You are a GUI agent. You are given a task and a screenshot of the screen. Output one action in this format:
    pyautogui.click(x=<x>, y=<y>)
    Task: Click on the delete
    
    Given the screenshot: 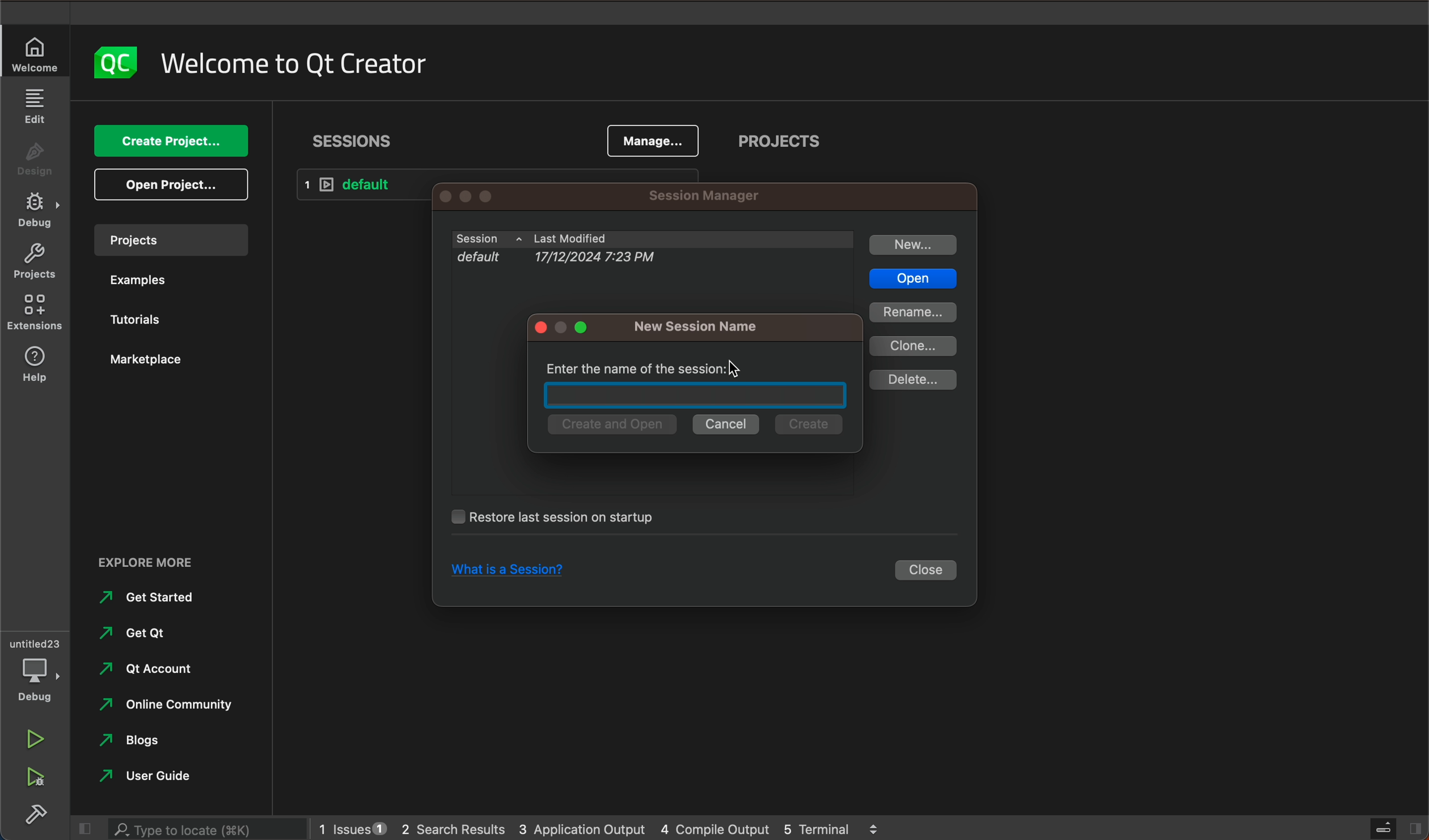 What is the action you would take?
    pyautogui.click(x=912, y=380)
    